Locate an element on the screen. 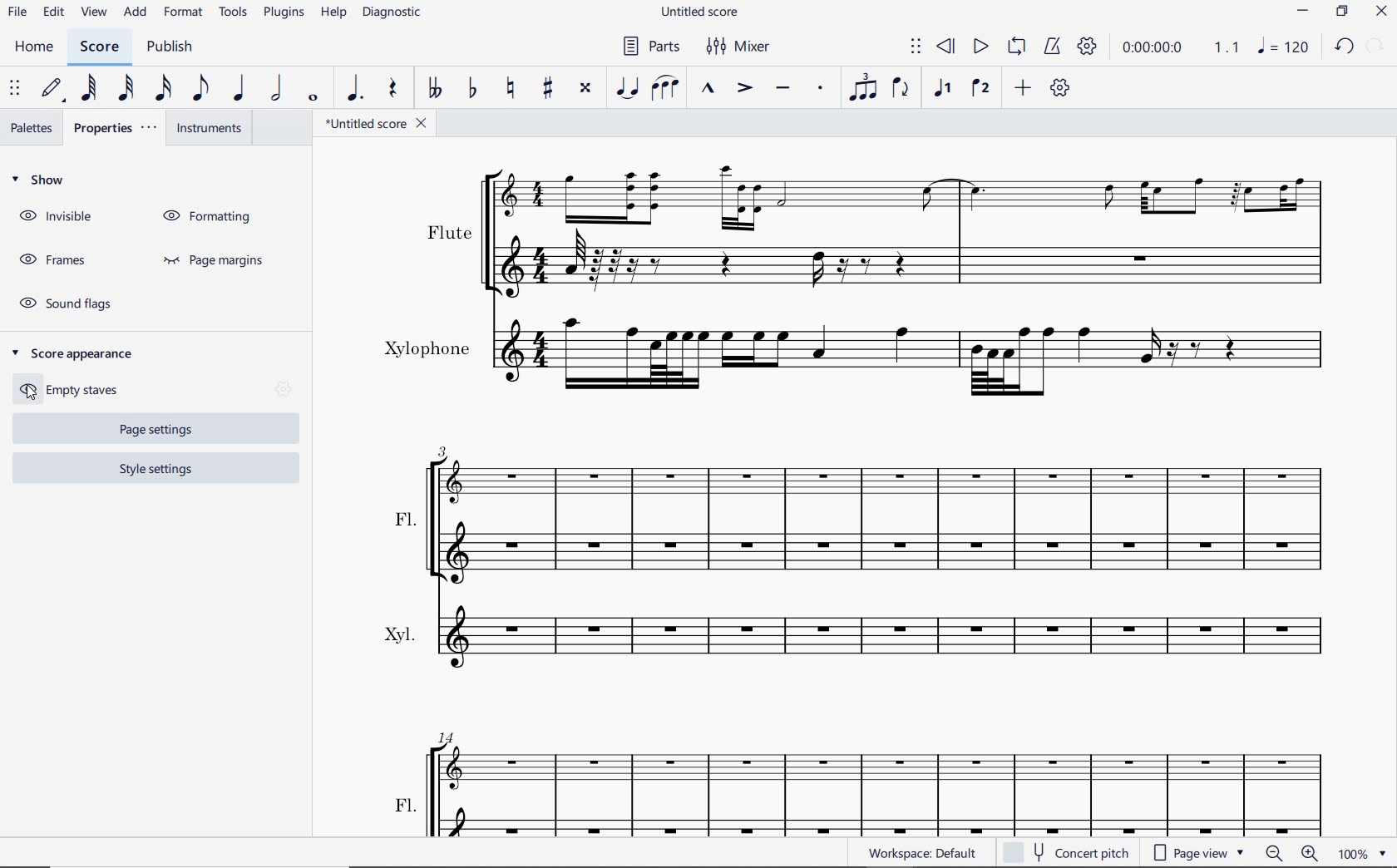 This screenshot has width=1397, height=868. SLUR is located at coordinates (664, 86).